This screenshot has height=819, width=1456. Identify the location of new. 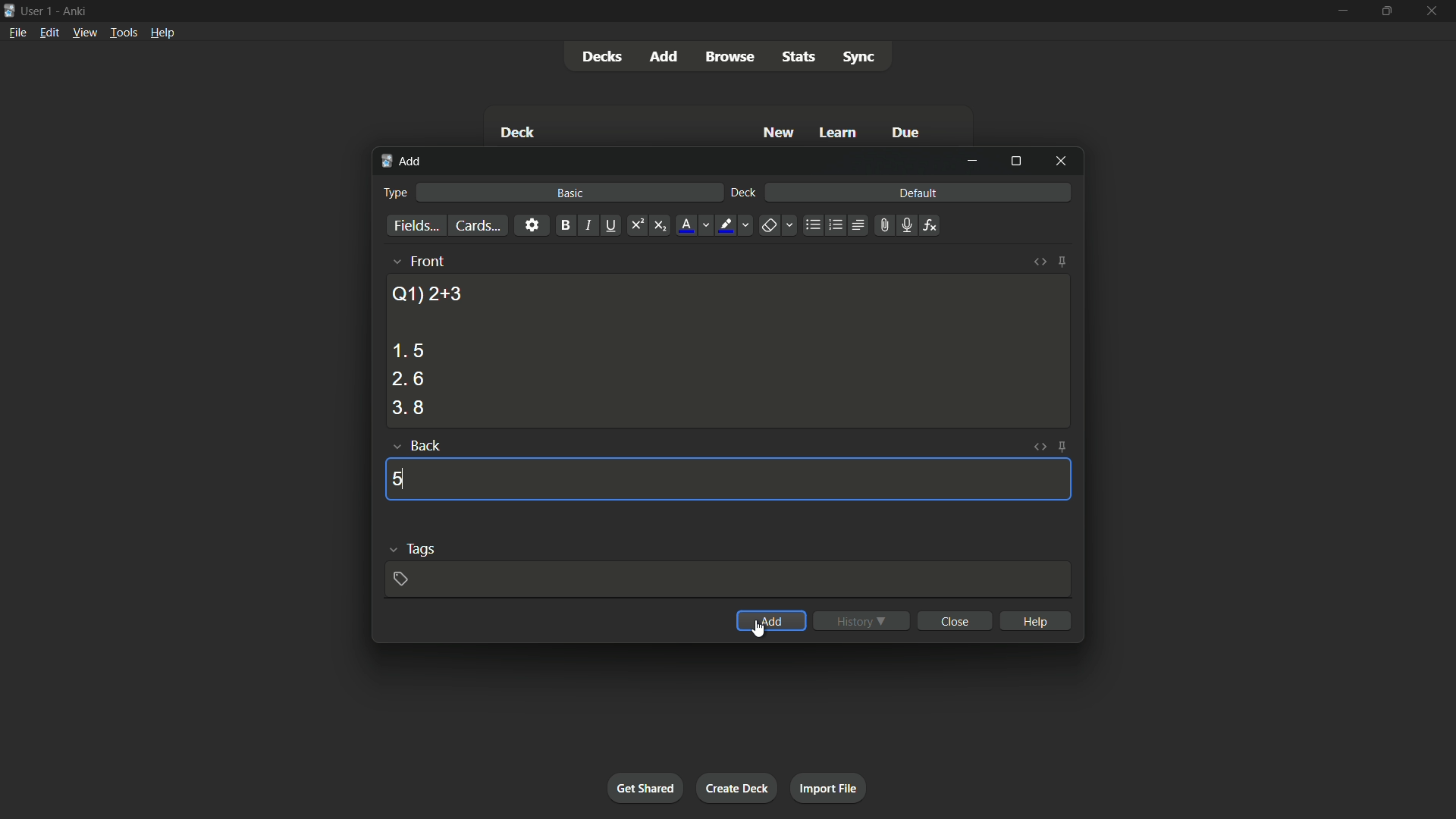
(780, 132).